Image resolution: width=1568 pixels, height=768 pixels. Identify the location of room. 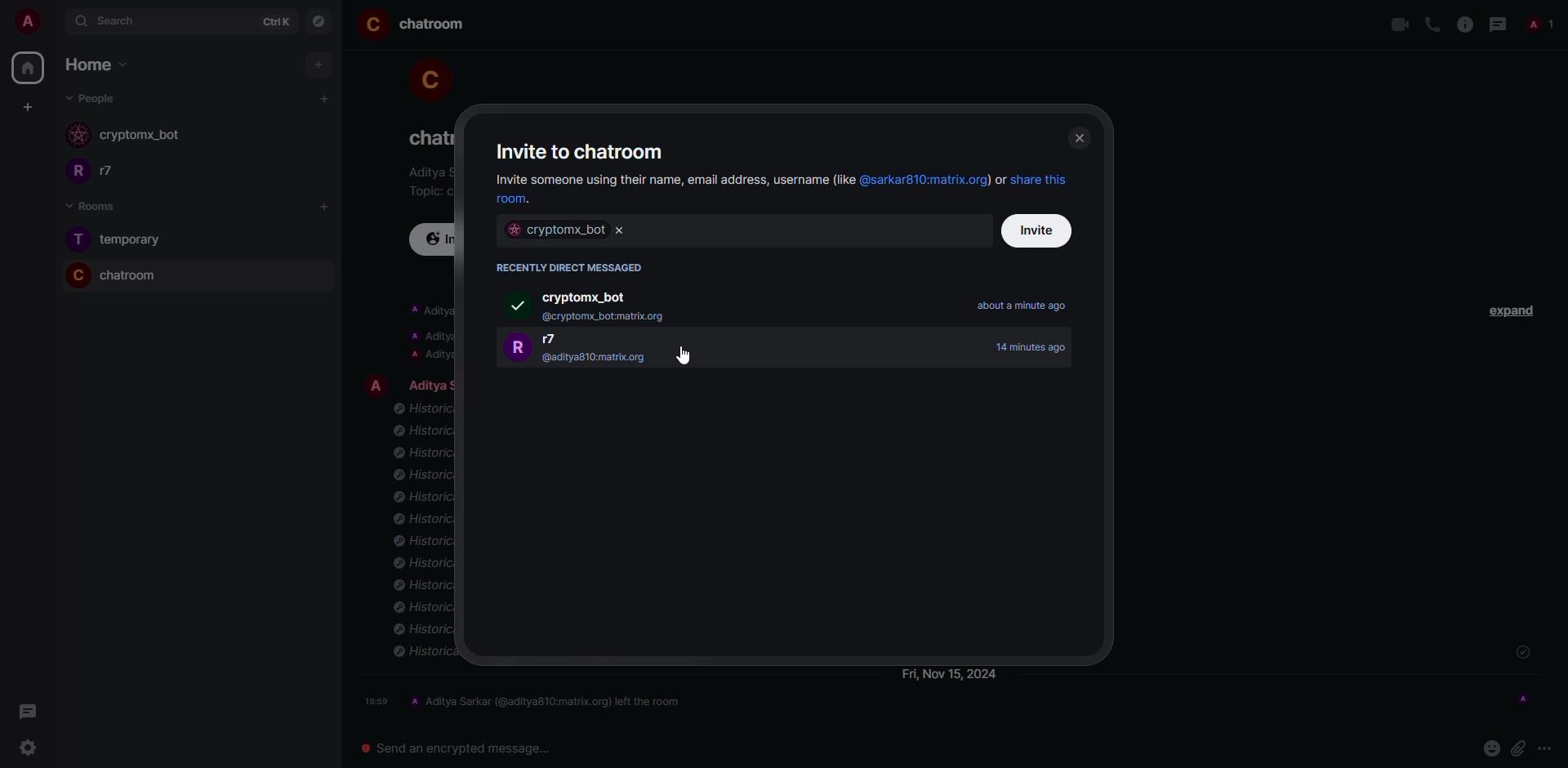
(135, 239).